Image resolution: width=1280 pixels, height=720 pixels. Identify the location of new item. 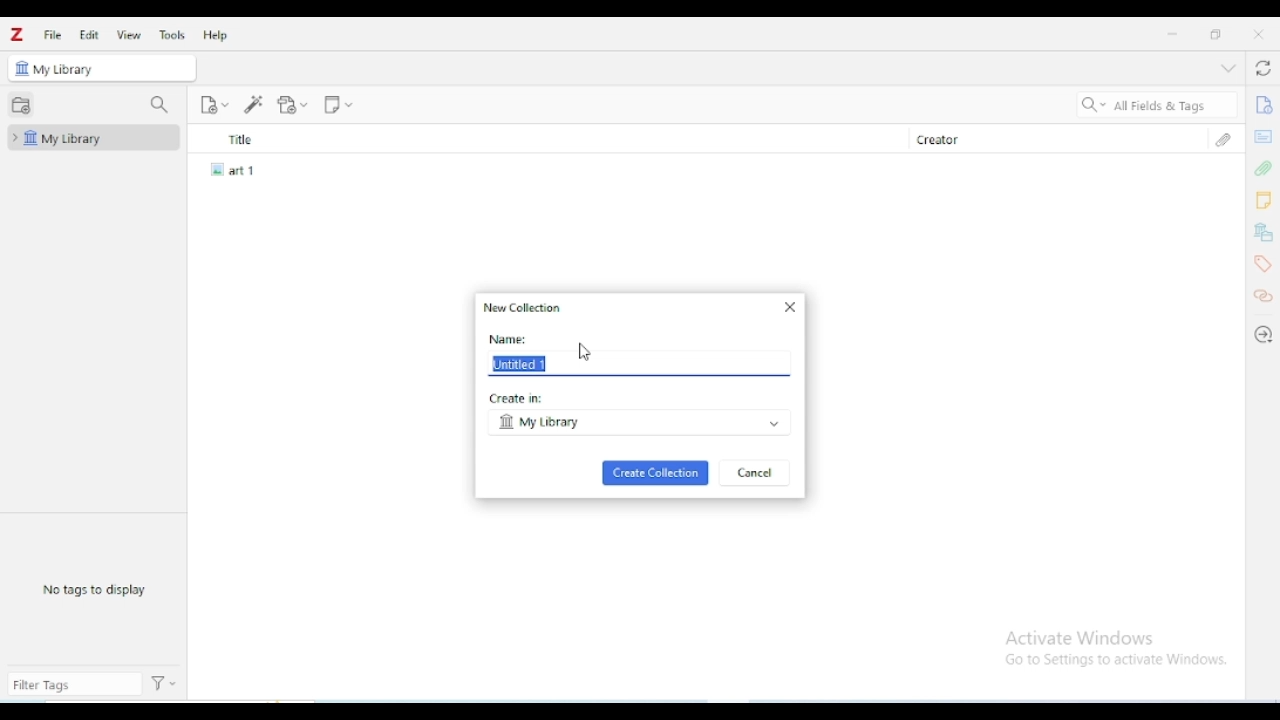
(214, 104).